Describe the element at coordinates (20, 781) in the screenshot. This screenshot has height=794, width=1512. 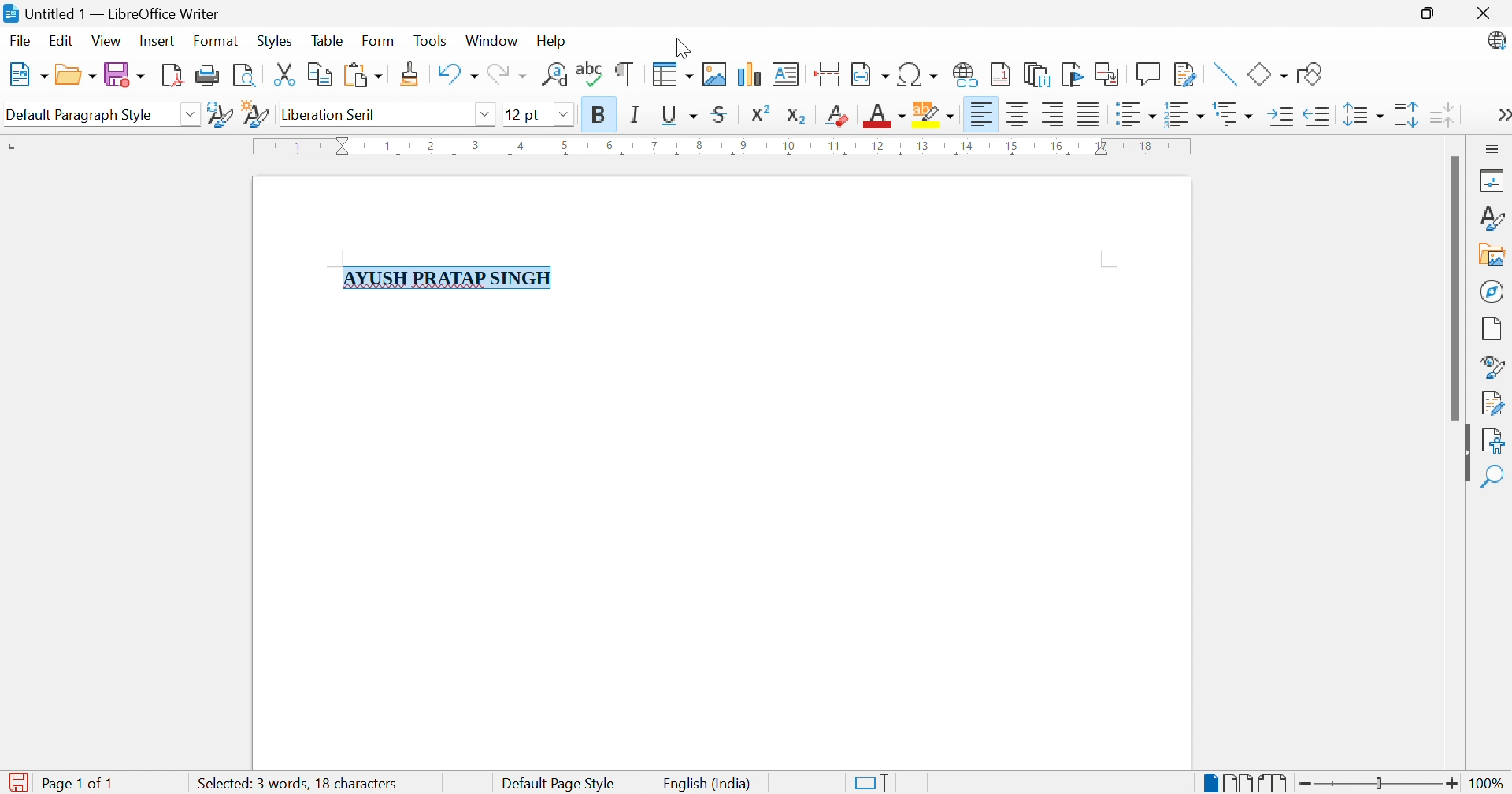
I see `The document has been modified. Click to save the document.` at that location.